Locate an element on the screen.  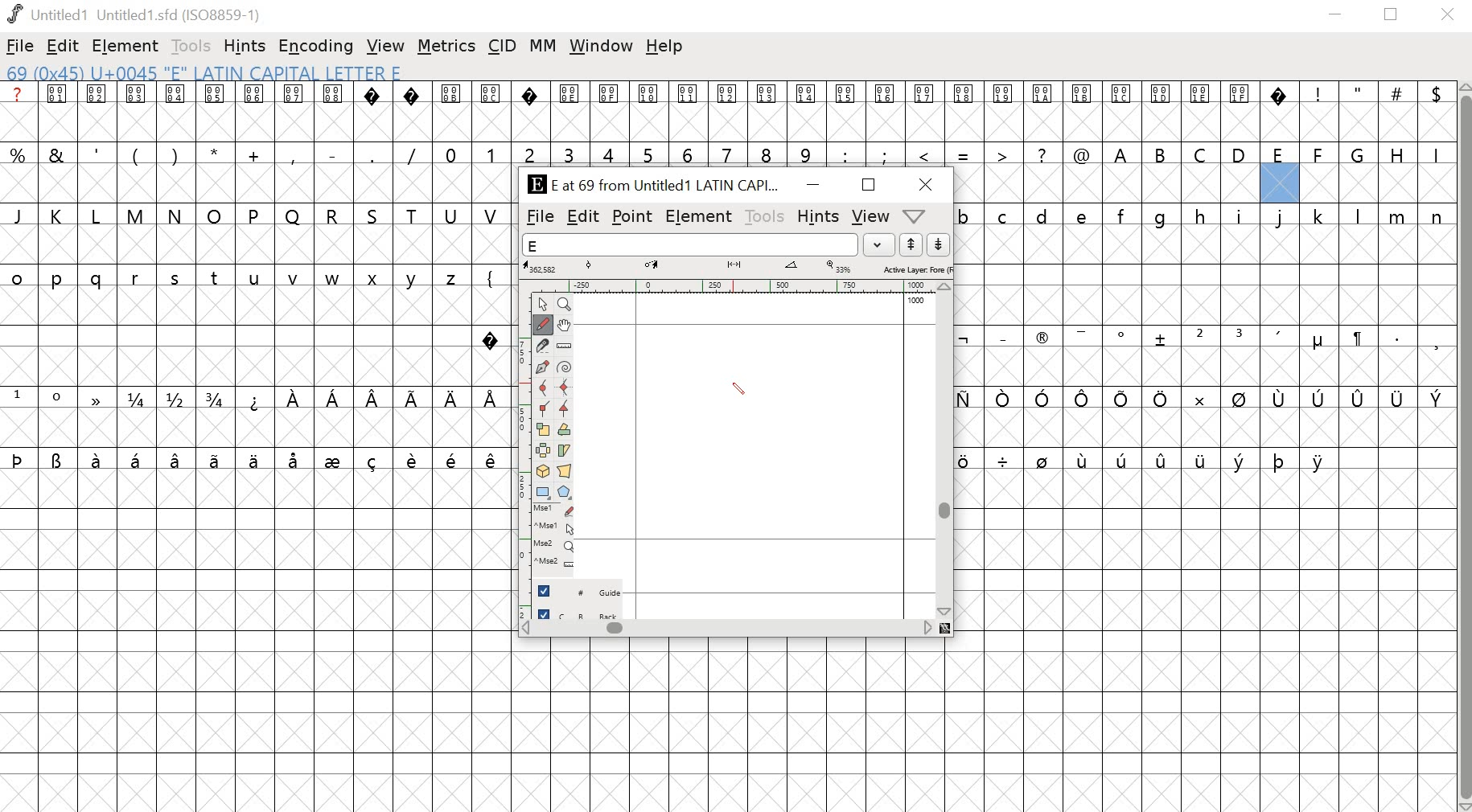
empty cells is located at coordinates (255, 184).